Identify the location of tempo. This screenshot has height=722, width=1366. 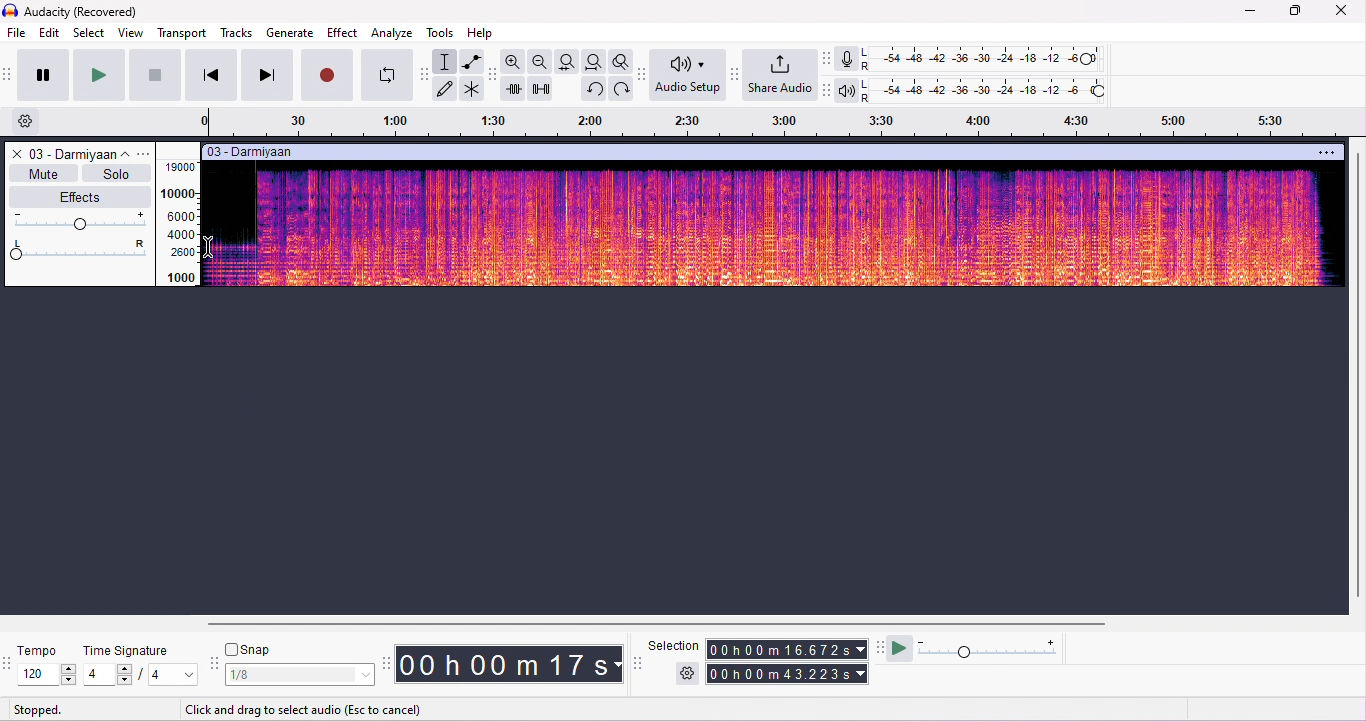
(43, 650).